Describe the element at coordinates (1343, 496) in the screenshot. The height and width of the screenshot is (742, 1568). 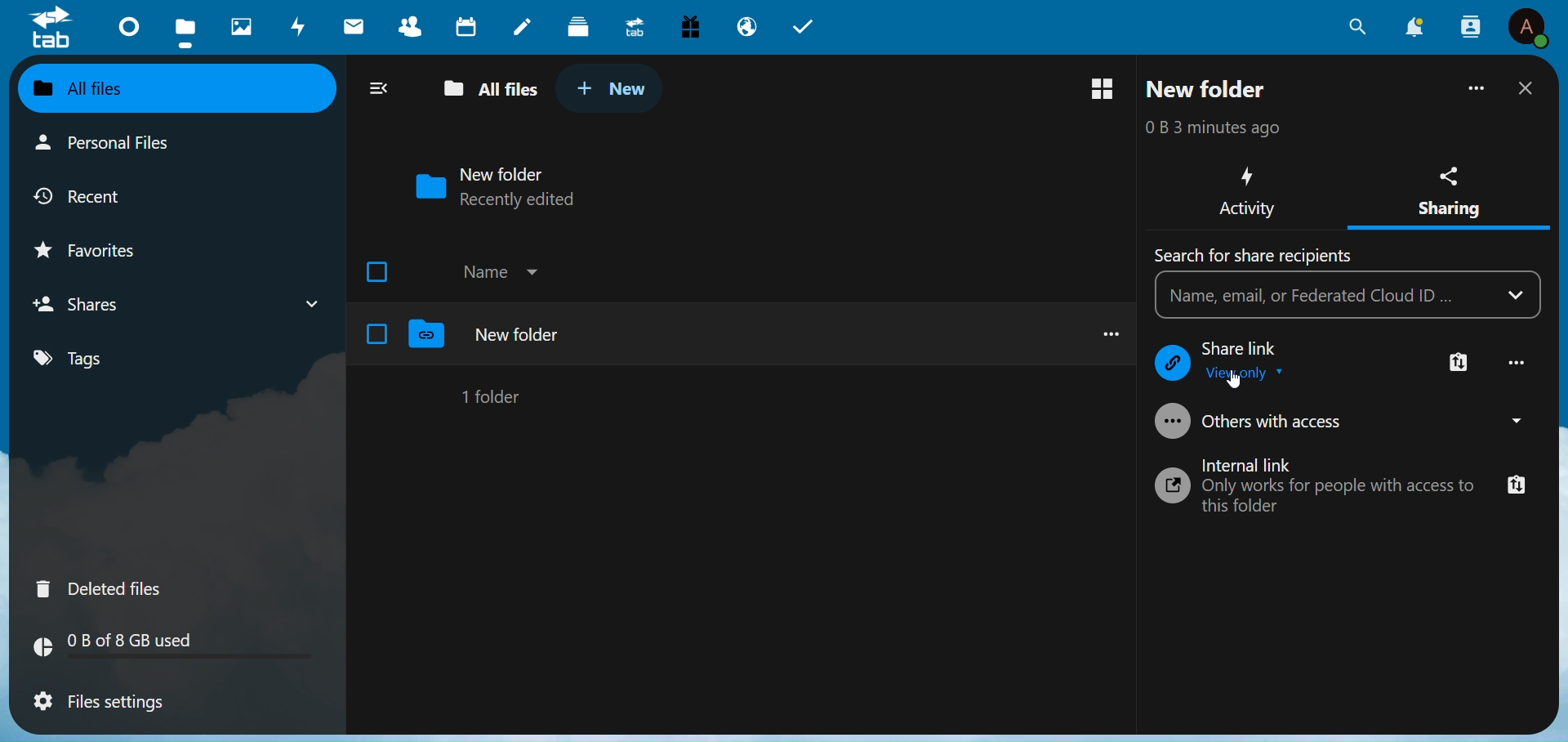
I see `Text` at that location.